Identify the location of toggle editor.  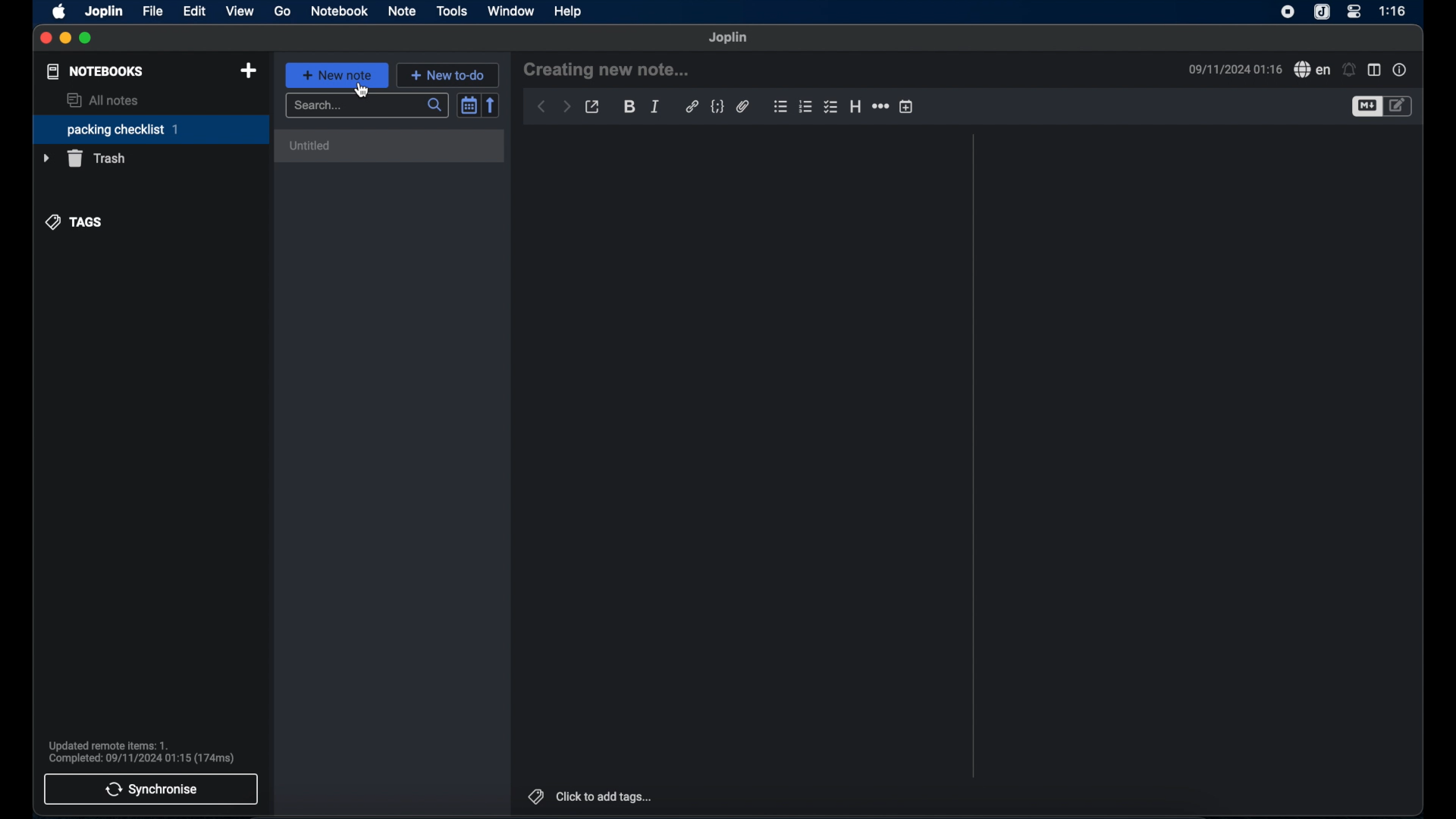
(1366, 107).